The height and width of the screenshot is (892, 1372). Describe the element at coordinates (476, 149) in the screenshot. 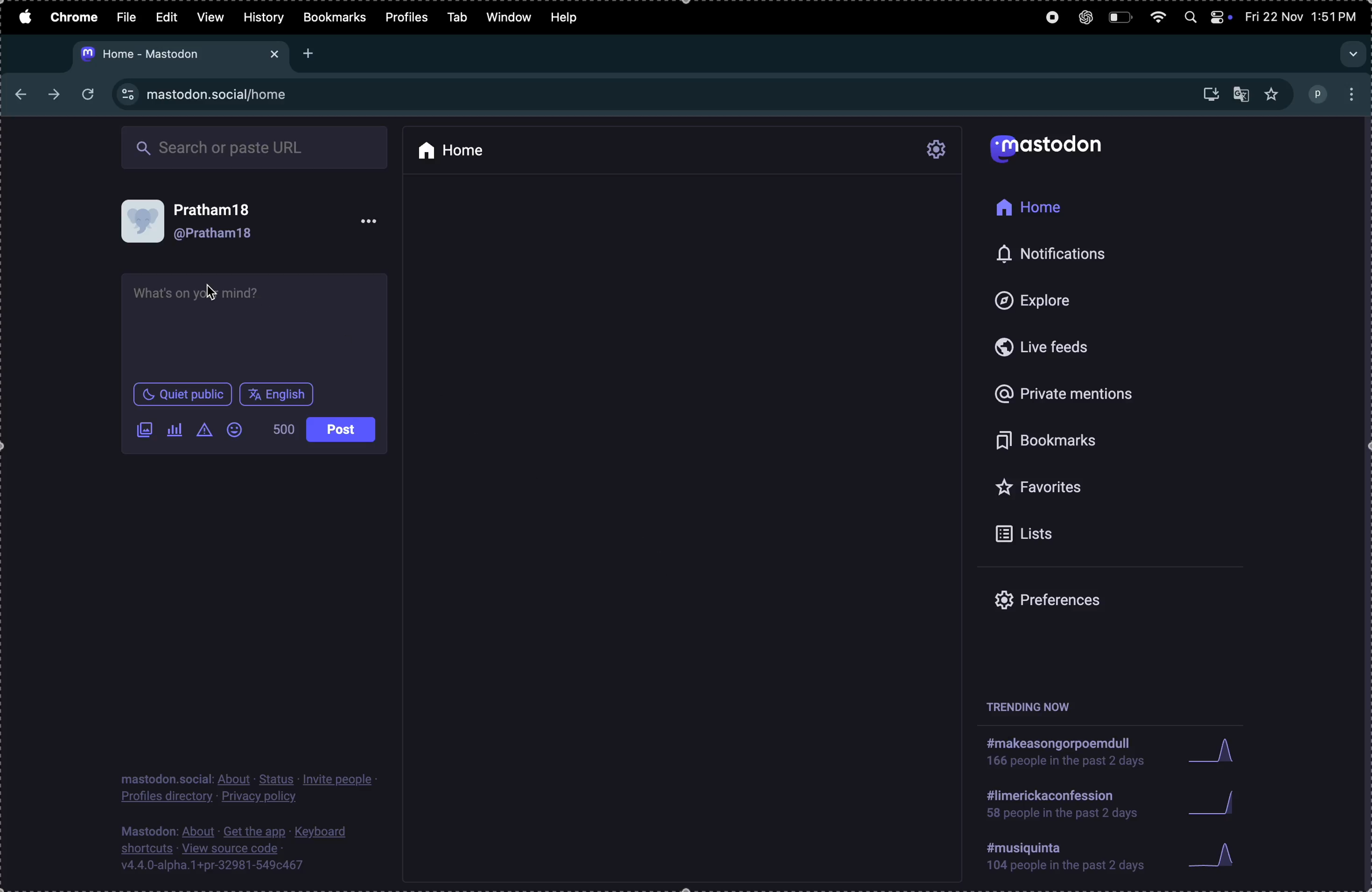

I see `home` at that location.